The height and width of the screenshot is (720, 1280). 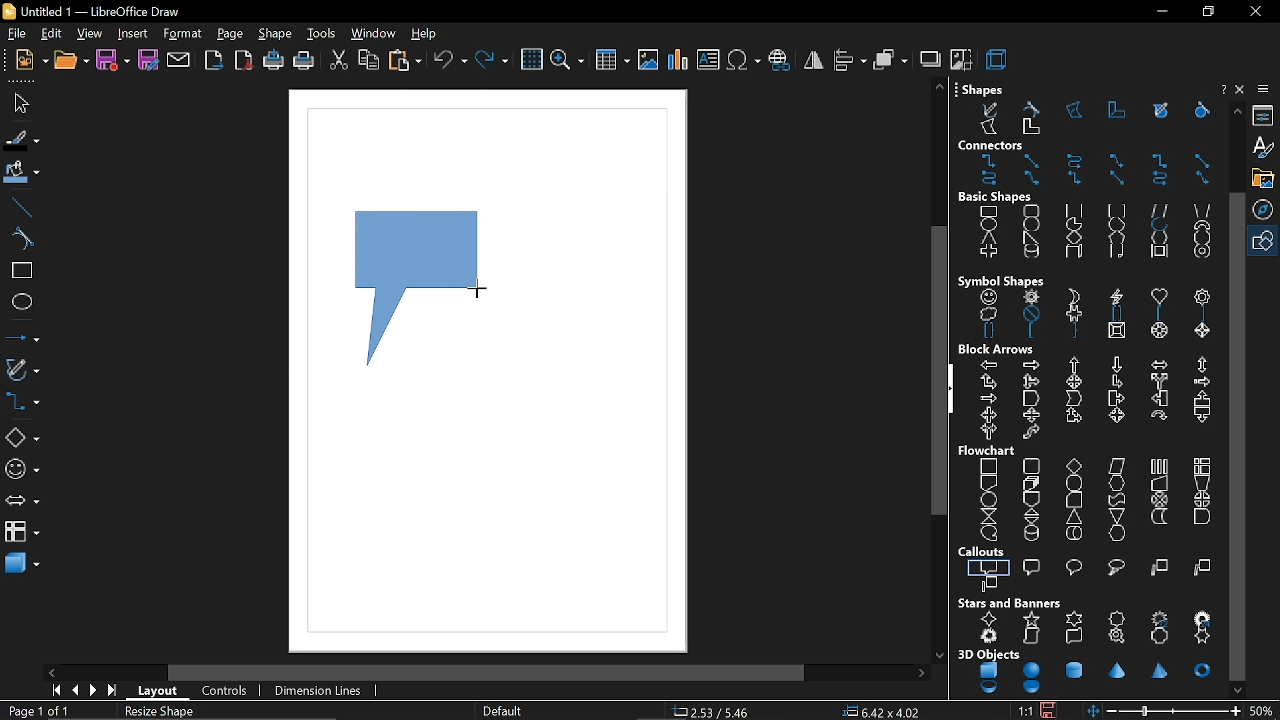 I want to click on save as, so click(x=148, y=61).